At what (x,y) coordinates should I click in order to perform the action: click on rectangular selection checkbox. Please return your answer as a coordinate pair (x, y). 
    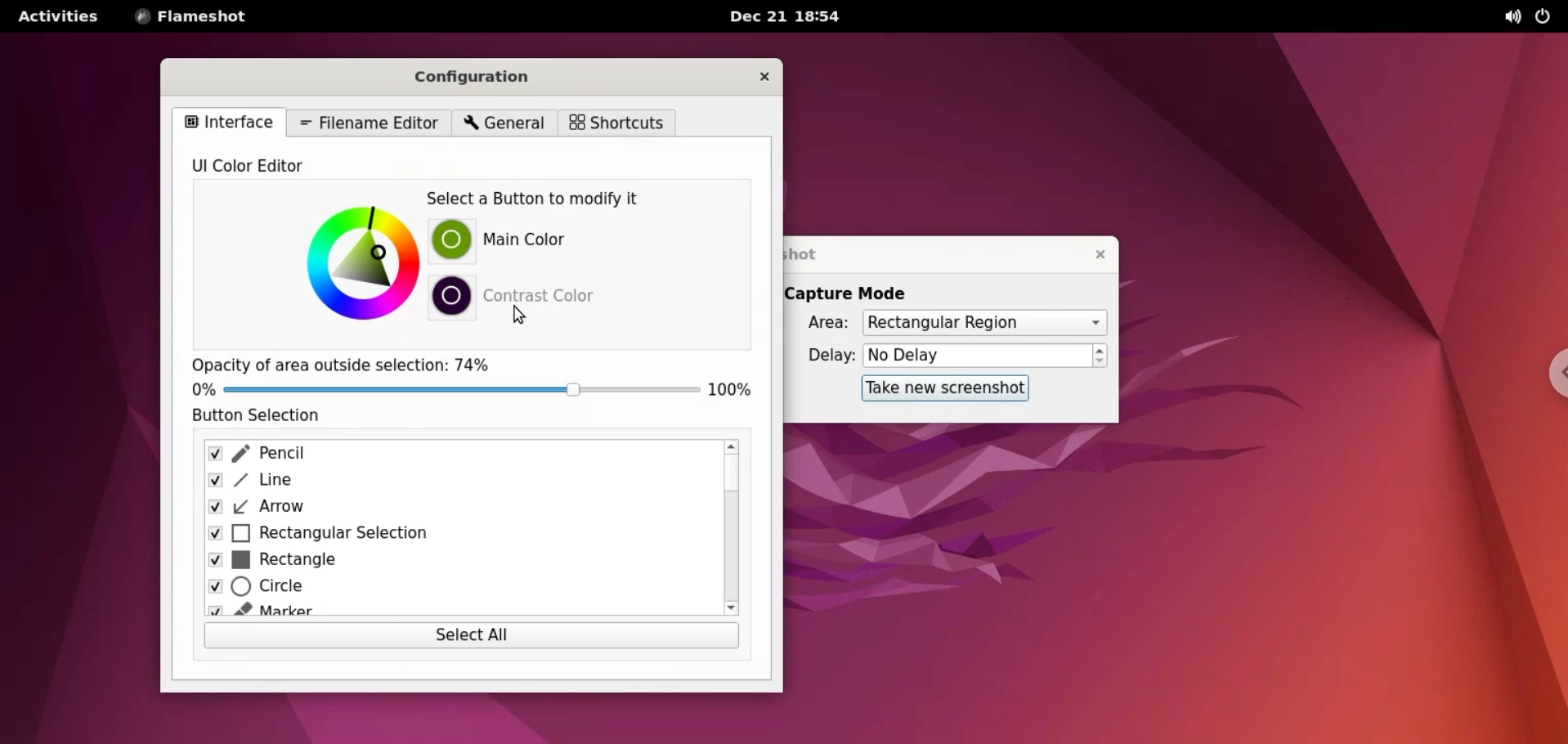
    Looking at the image, I should click on (452, 536).